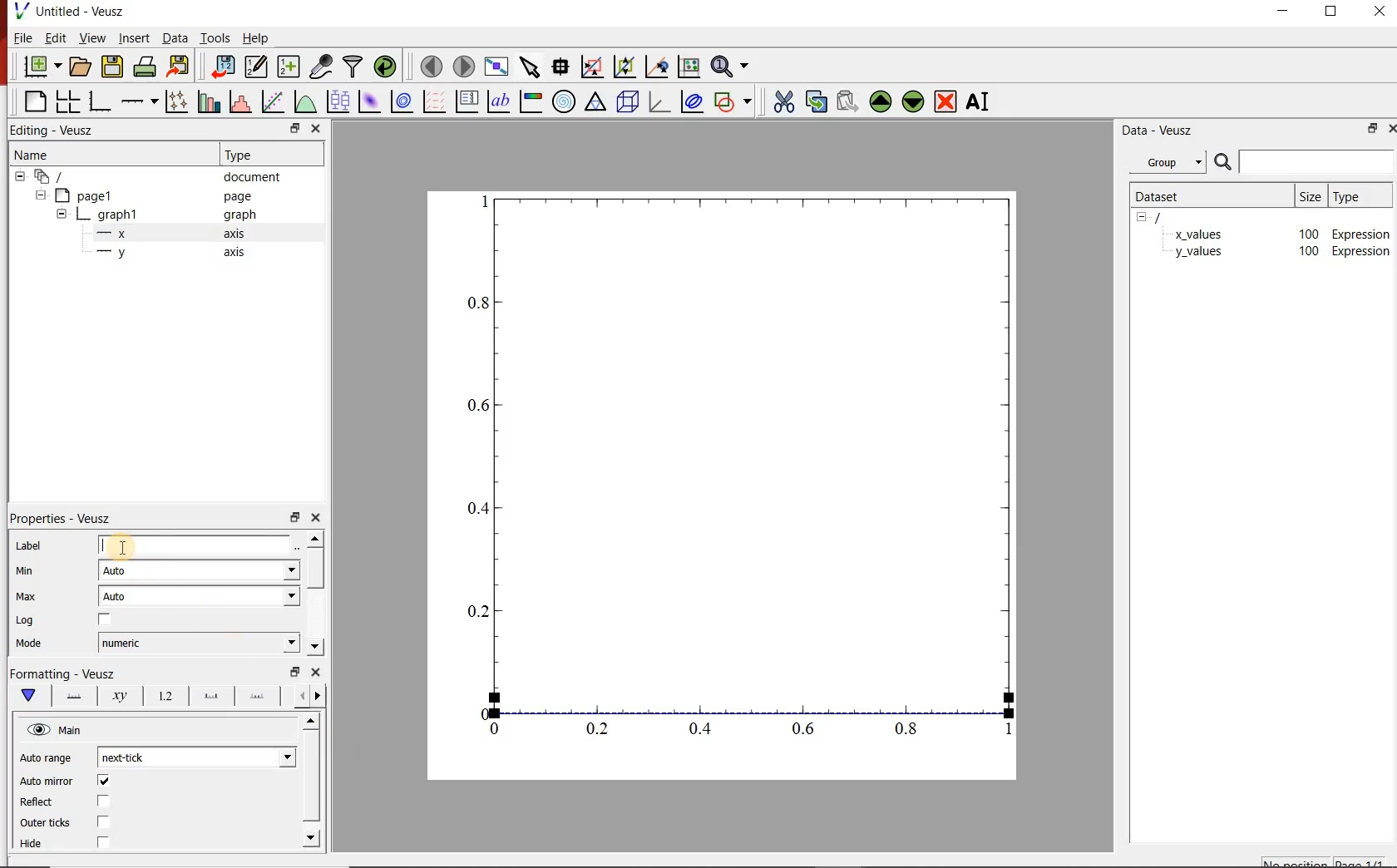  I want to click on text label, so click(496, 101).